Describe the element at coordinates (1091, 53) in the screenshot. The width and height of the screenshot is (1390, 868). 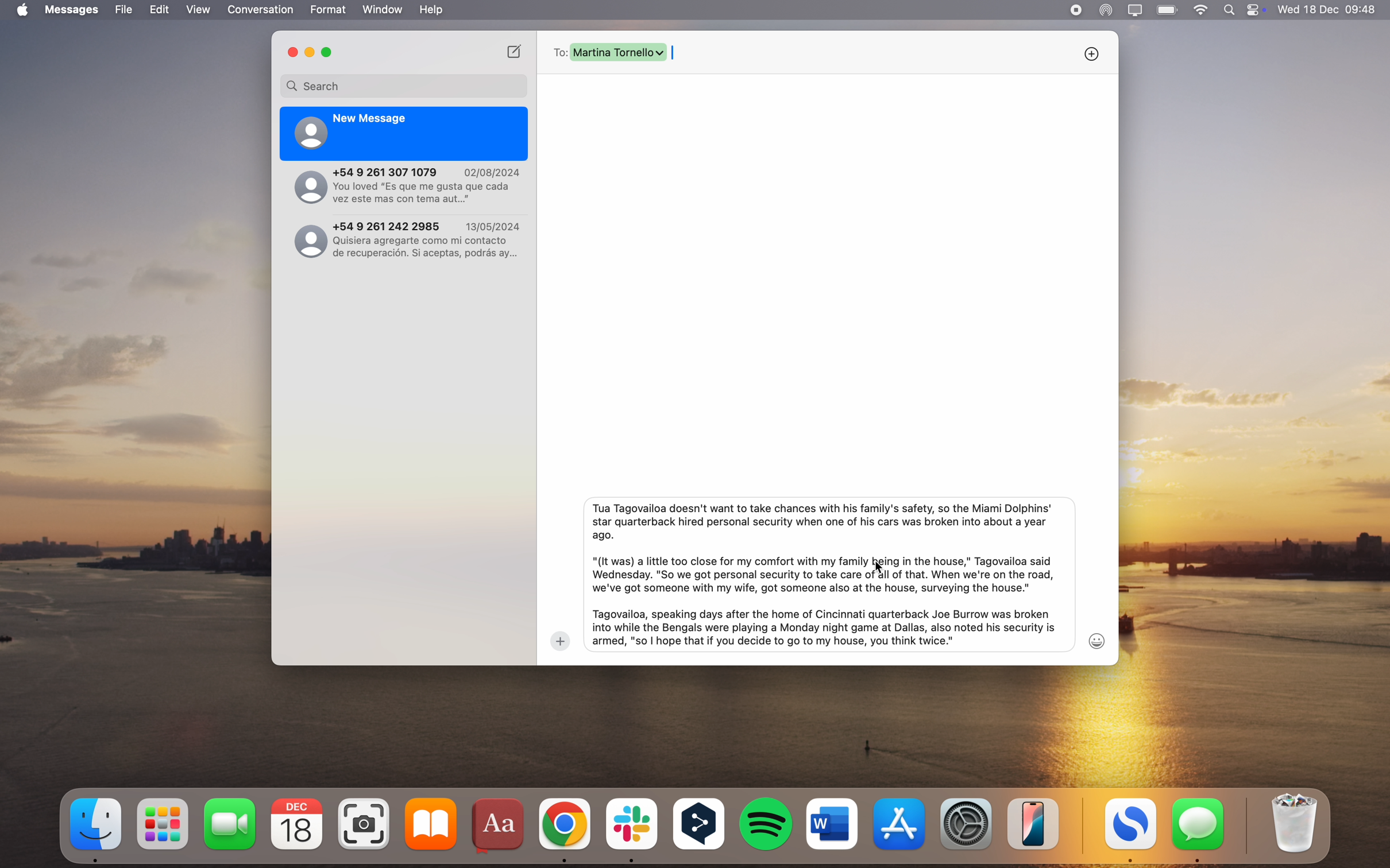
I see `add` at that location.